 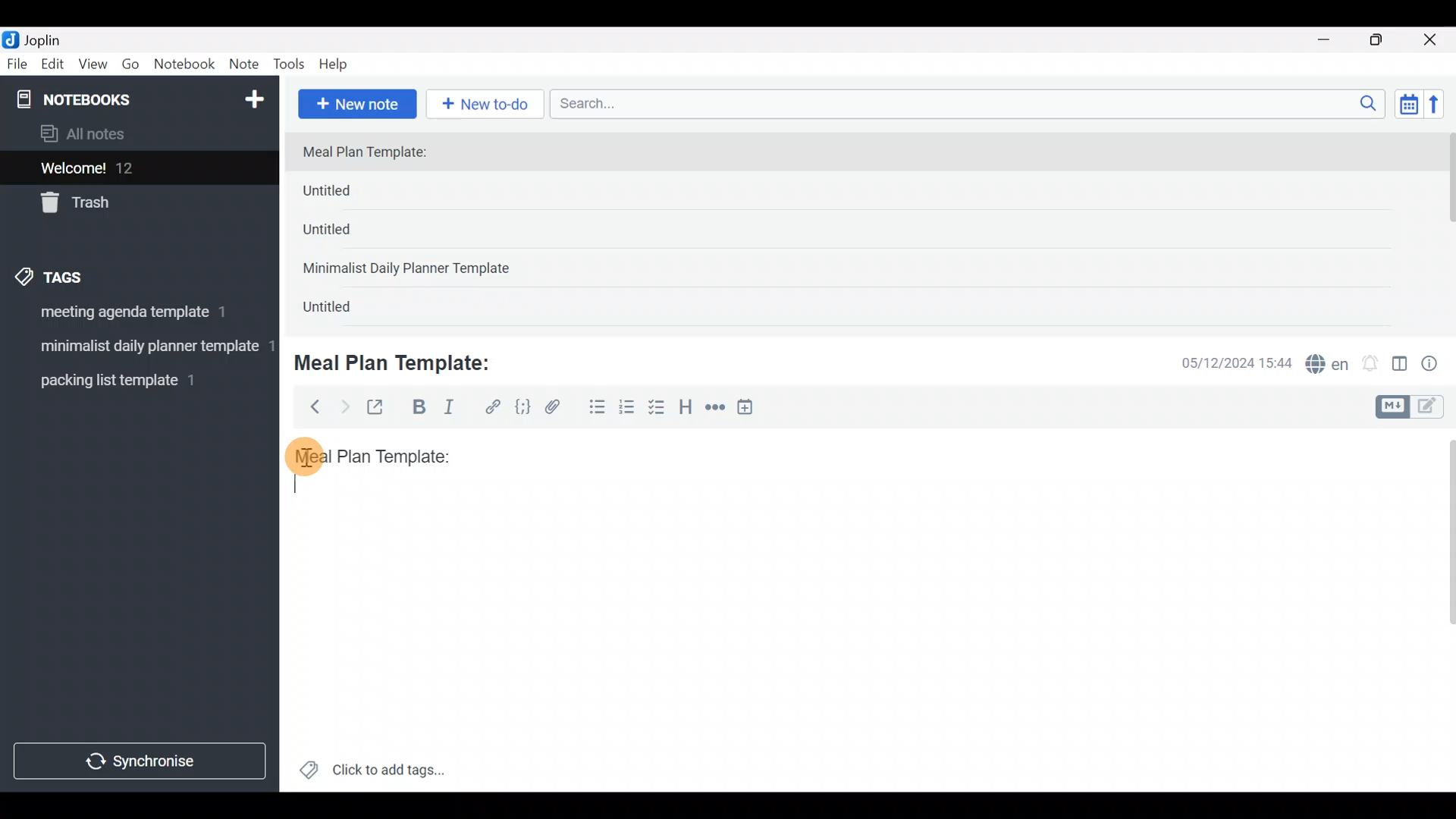 I want to click on Untitled, so click(x=344, y=310).